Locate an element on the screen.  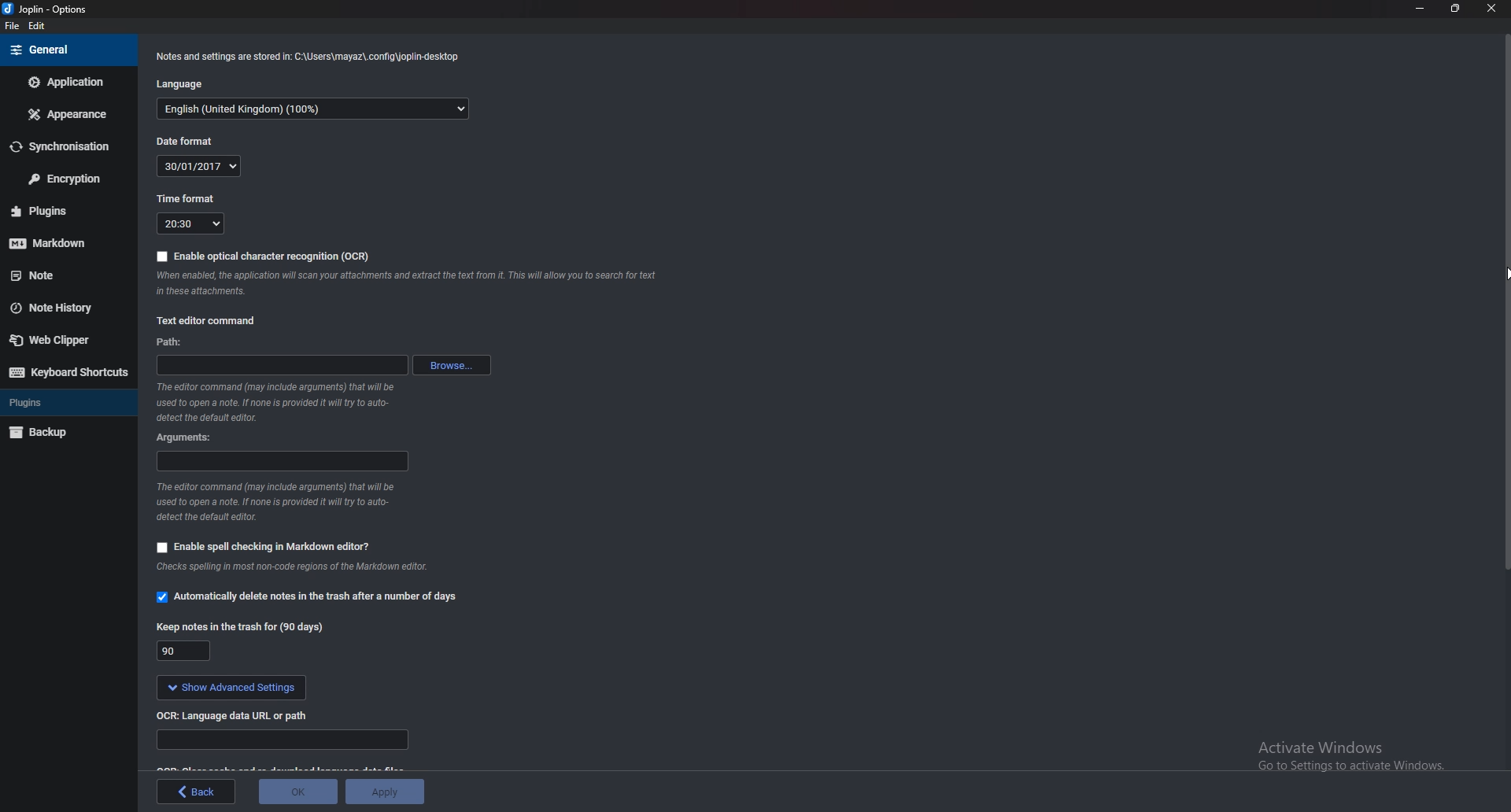
Resize is located at coordinates (1453, 9).